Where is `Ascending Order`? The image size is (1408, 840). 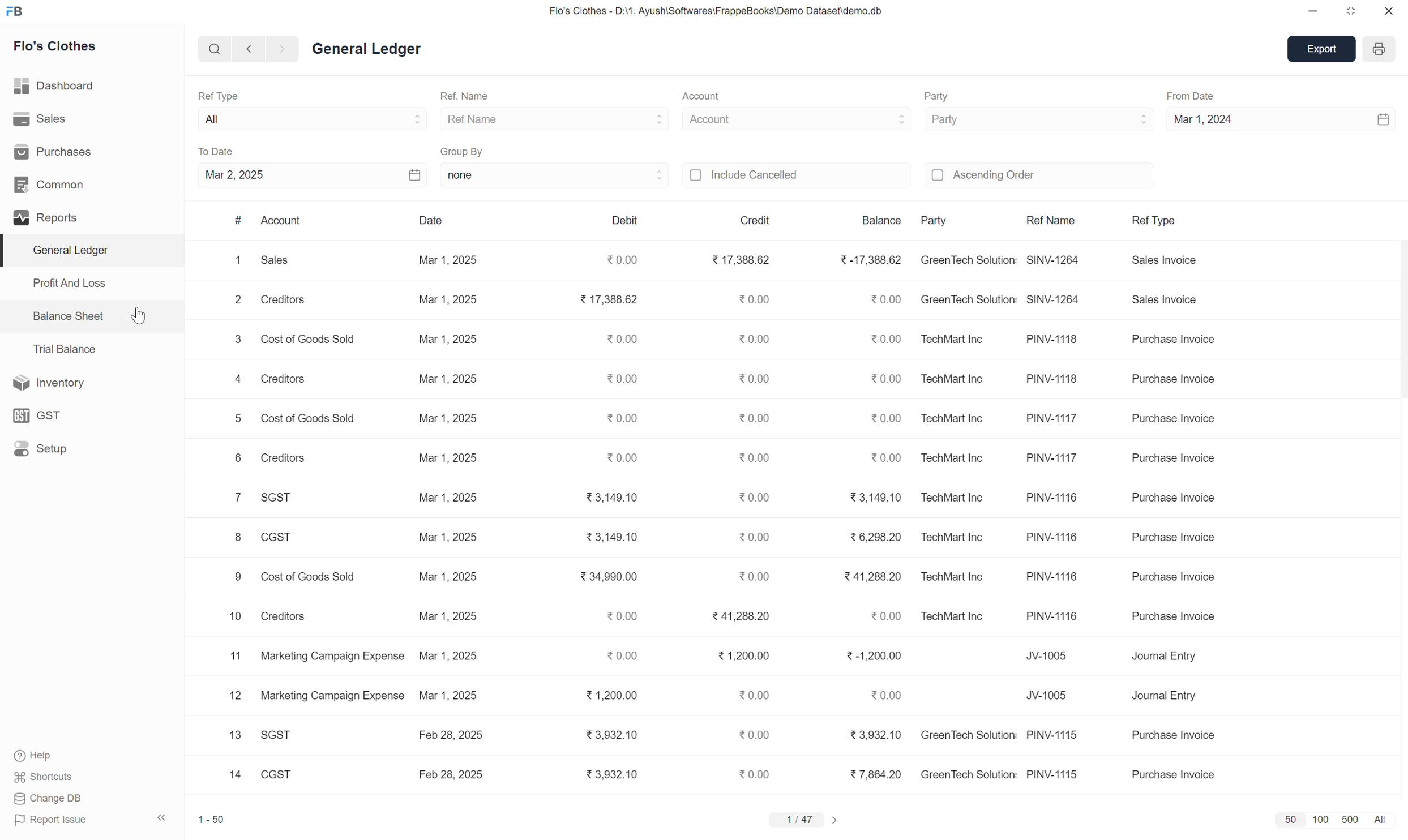 Ascending Order is located at coordinates (996, 176).